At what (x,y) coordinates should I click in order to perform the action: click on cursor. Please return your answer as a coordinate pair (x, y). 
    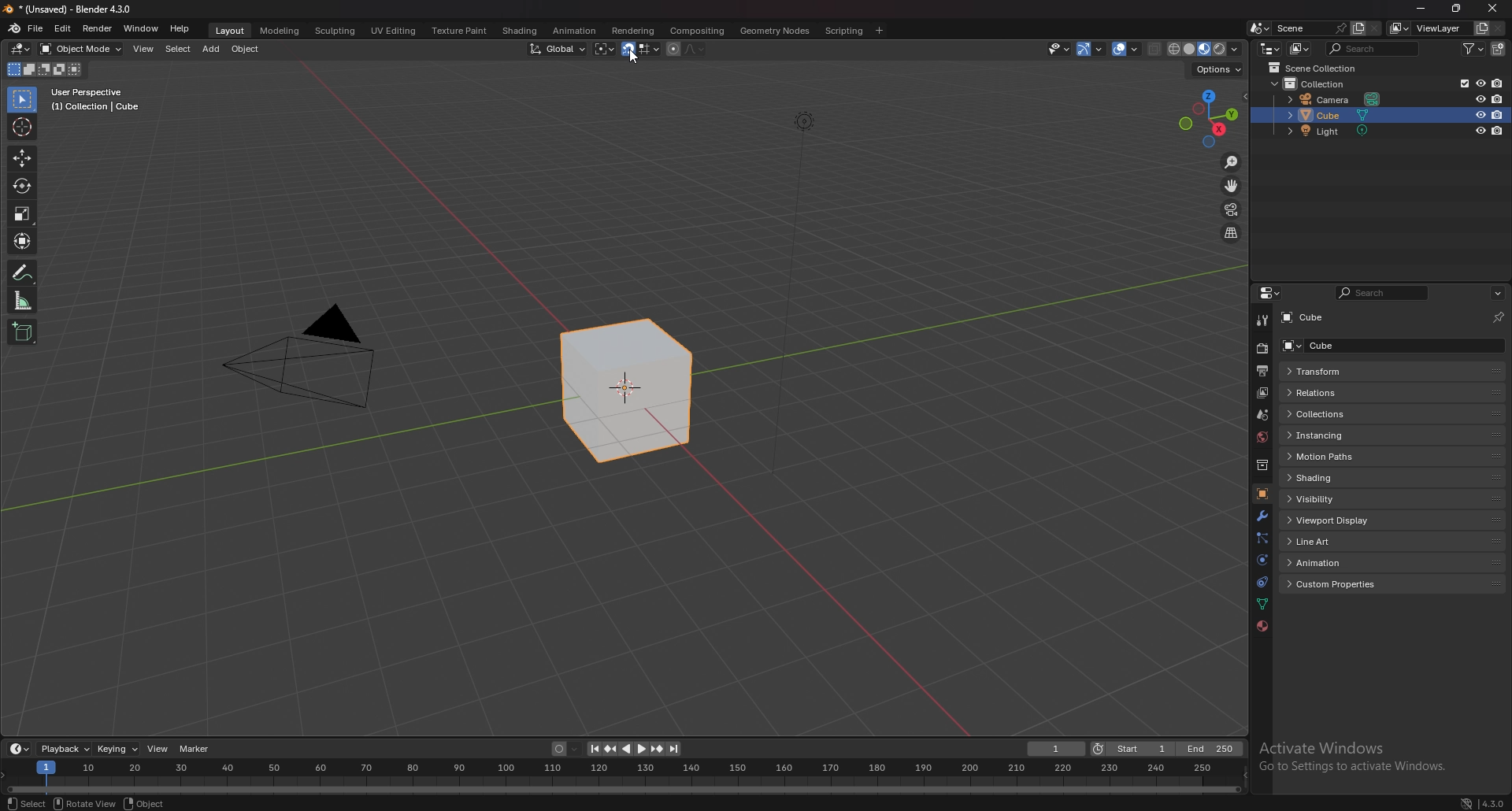
    Looking at the image, I should click on (633, 59).